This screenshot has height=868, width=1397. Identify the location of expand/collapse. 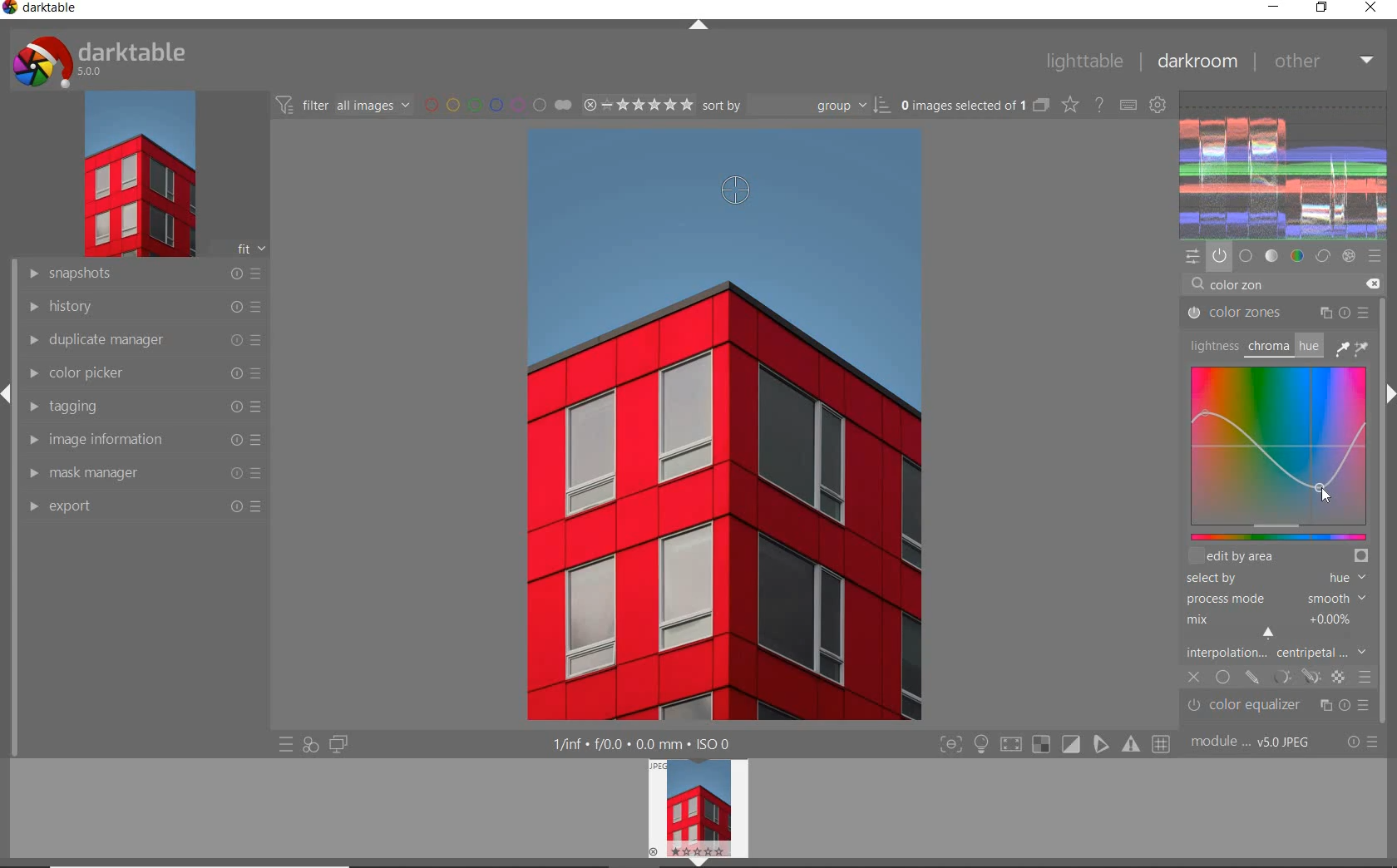
(1388, 395).